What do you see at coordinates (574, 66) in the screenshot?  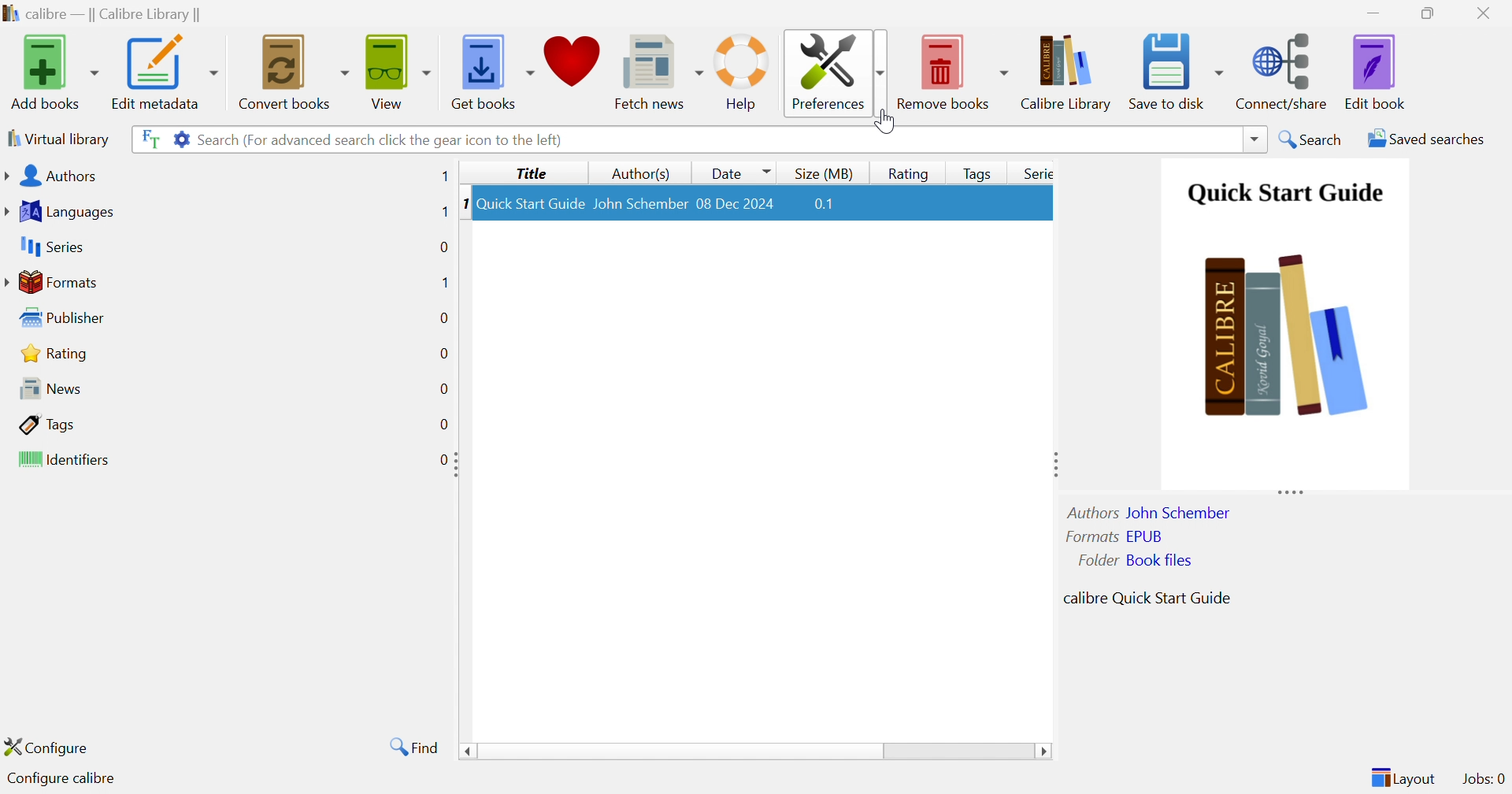 I see `Donate to support calibre` at bounding box center [574, 66].